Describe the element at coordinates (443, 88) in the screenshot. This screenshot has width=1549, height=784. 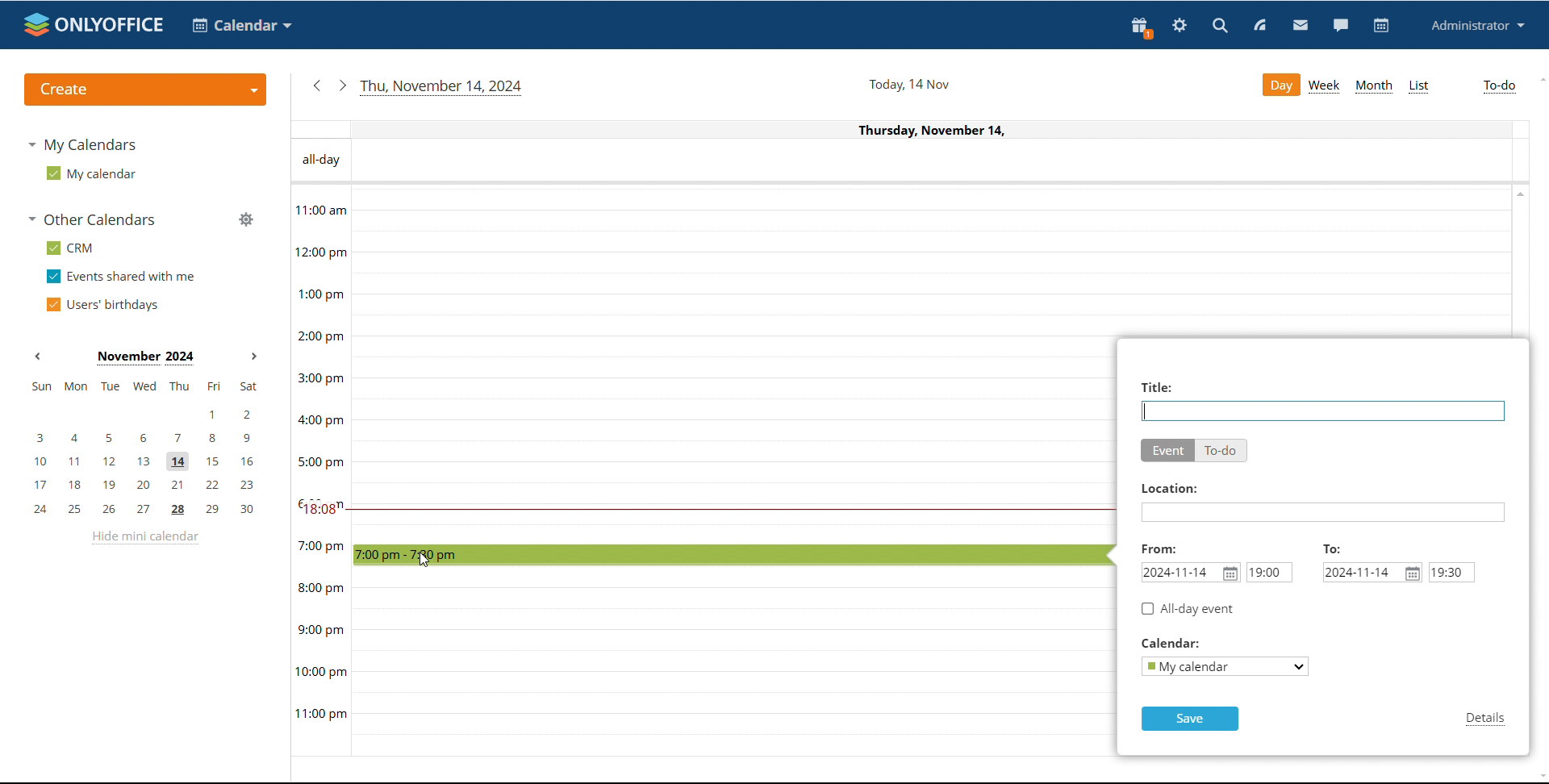
I see `current date` at that location.